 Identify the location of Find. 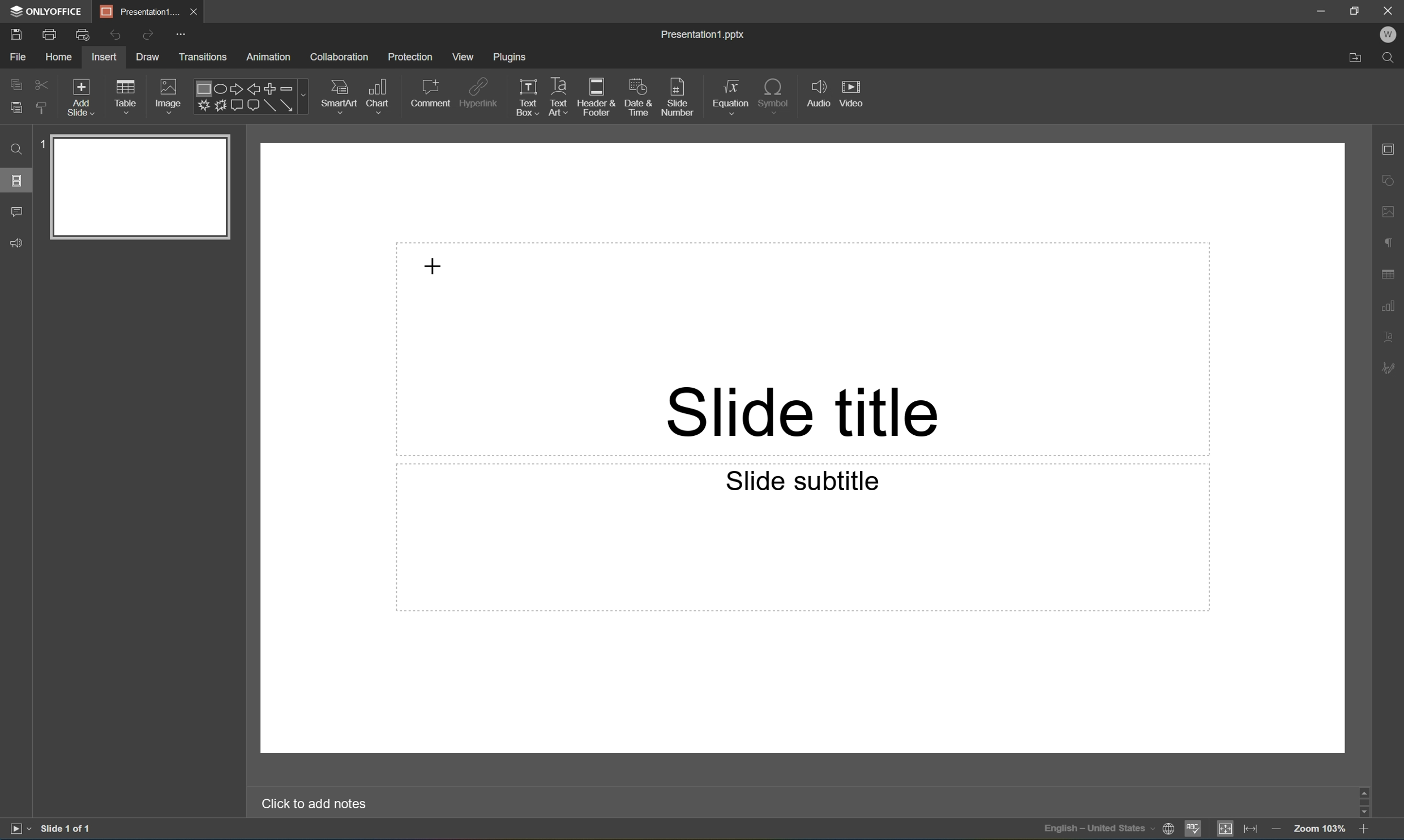
(16, 149).